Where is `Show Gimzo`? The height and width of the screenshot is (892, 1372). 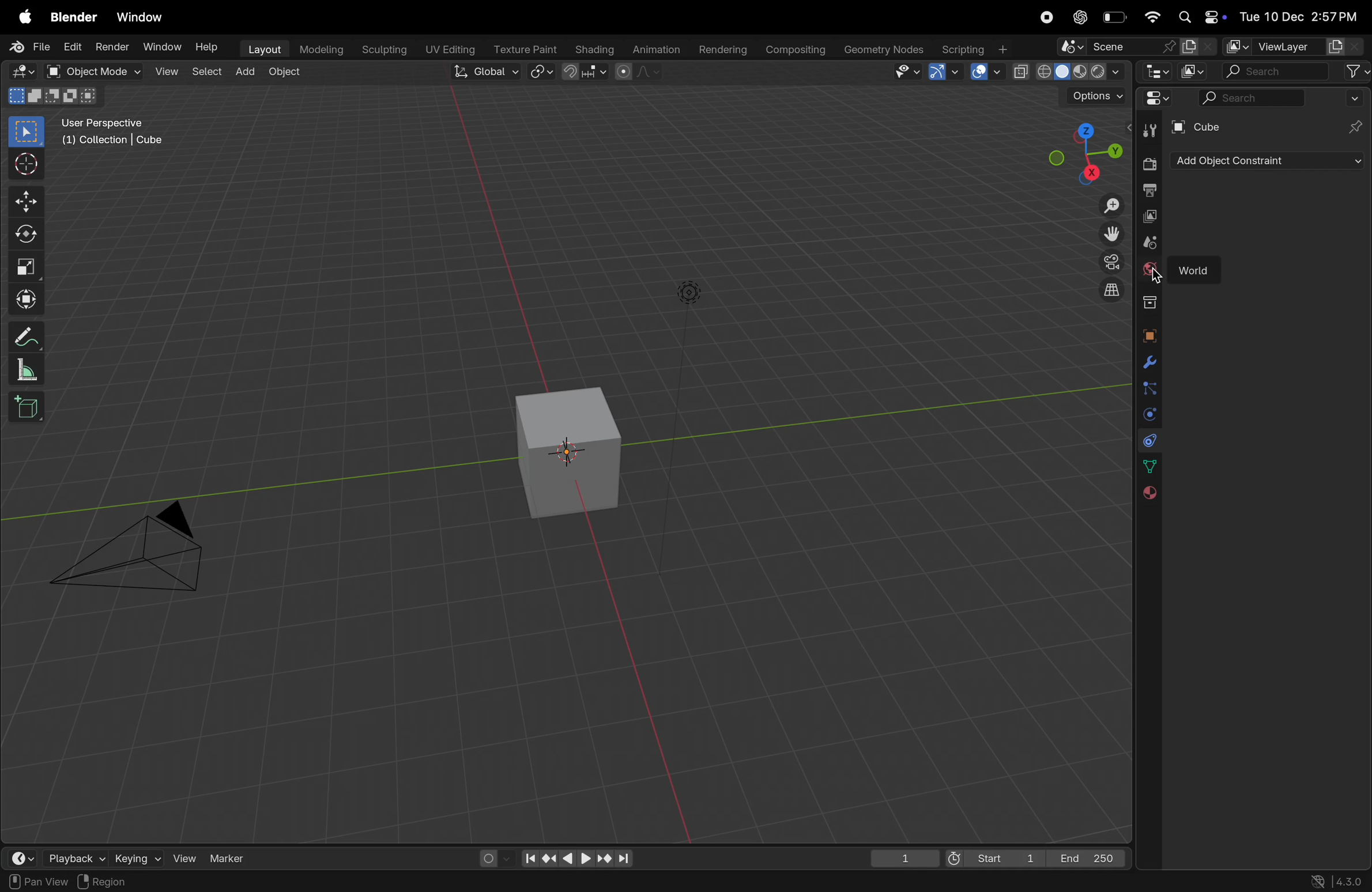 Show Gimzo is located at coordinates (944, 73).